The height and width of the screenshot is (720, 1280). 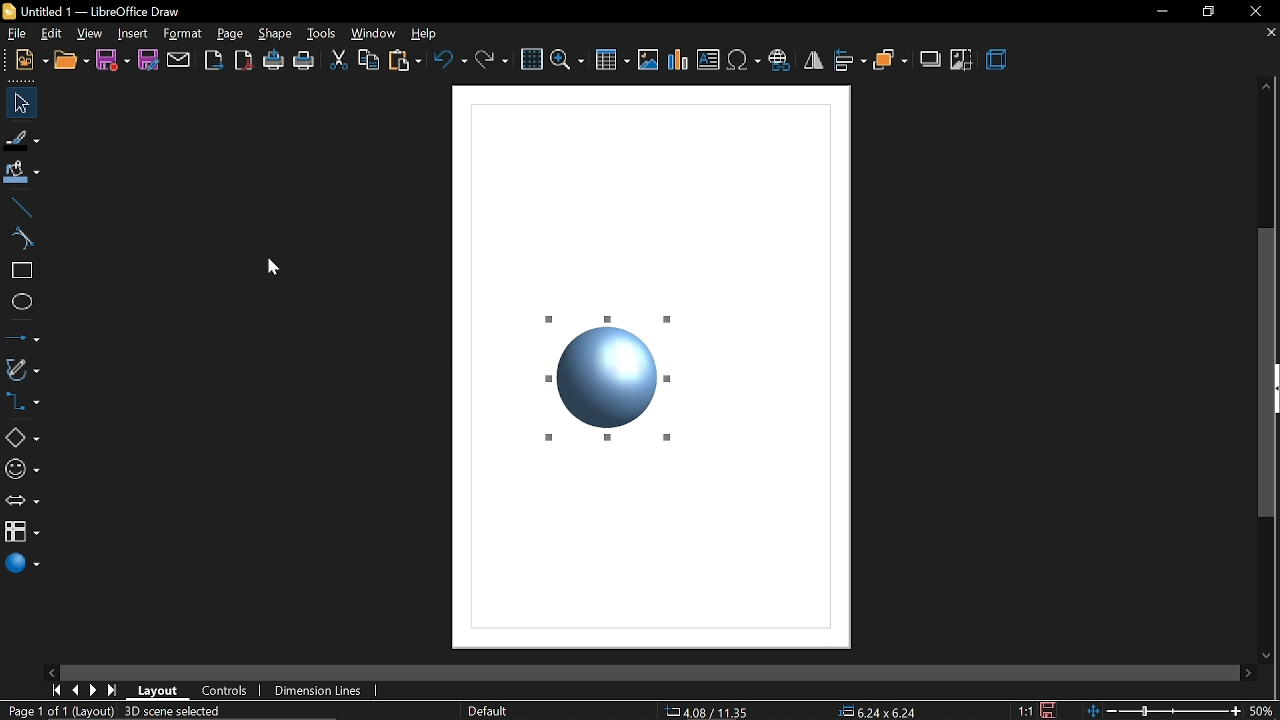 I want to click on minimize, so click(x=1159, y=12).